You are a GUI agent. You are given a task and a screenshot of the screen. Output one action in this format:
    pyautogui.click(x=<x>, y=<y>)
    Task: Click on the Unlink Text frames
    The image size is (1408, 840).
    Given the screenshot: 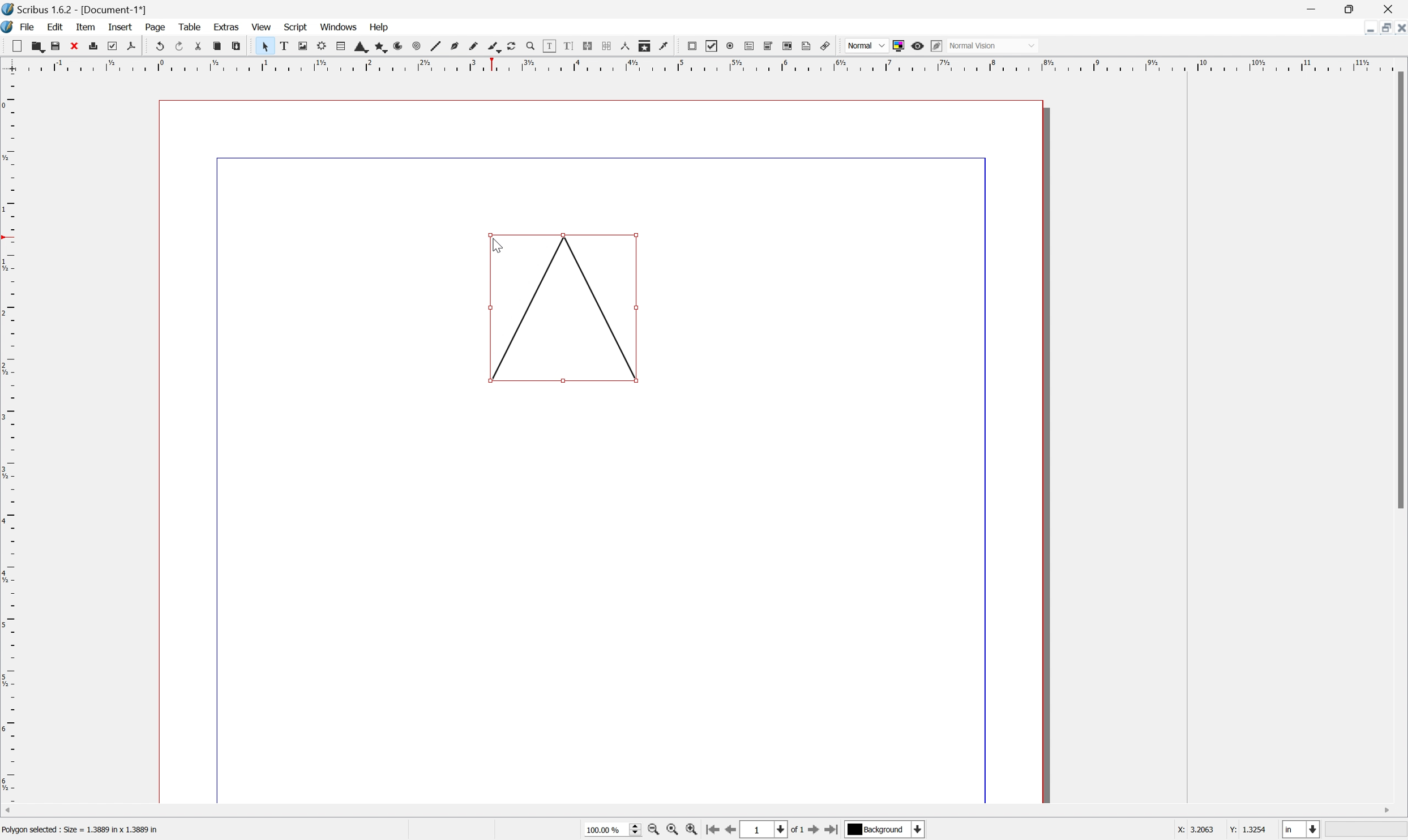 What is the action you would take?
    pyautogui.click(x=605, y=46)
    